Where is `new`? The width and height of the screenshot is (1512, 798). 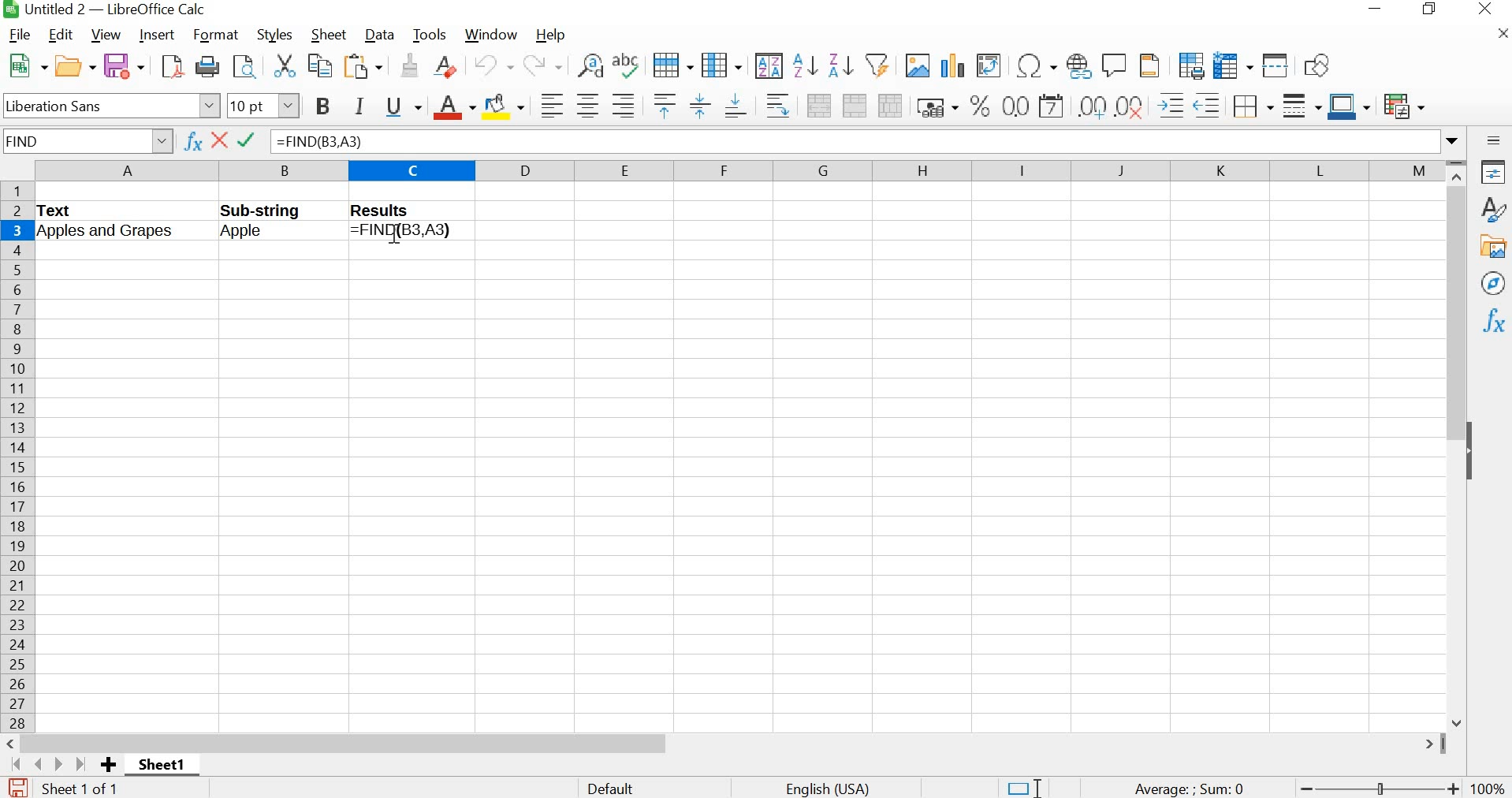
new is located at coordinates (24, 64).